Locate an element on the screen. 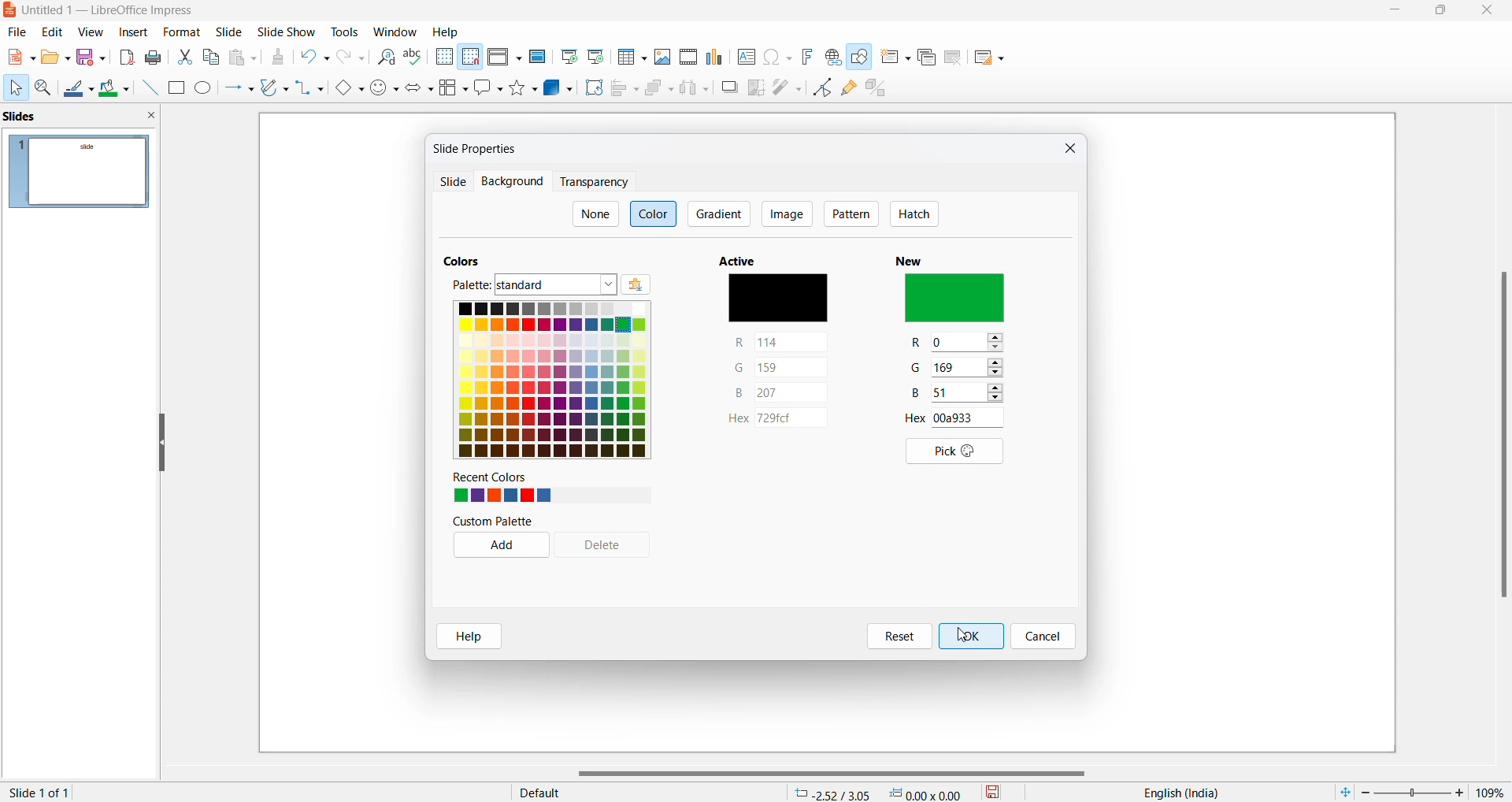 The image size is (1512, 802). export as pdf  is located at coordinates (126, 57).